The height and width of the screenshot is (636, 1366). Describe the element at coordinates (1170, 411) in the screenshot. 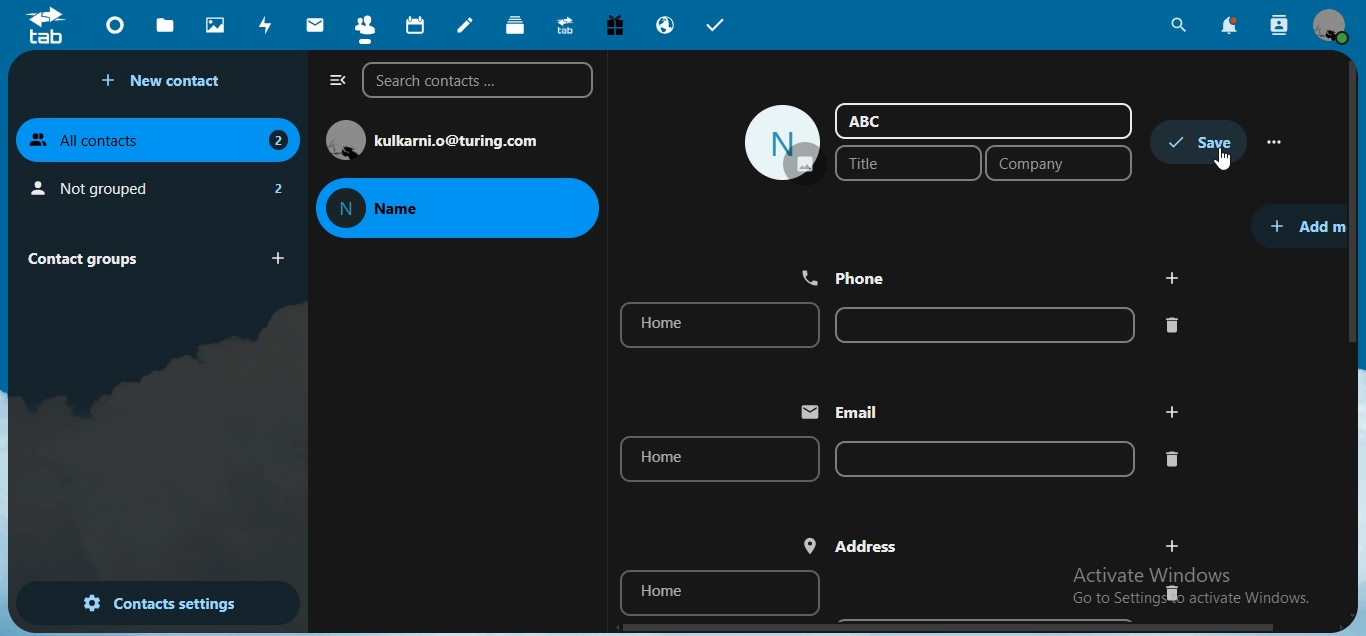

I see `add` at that location.